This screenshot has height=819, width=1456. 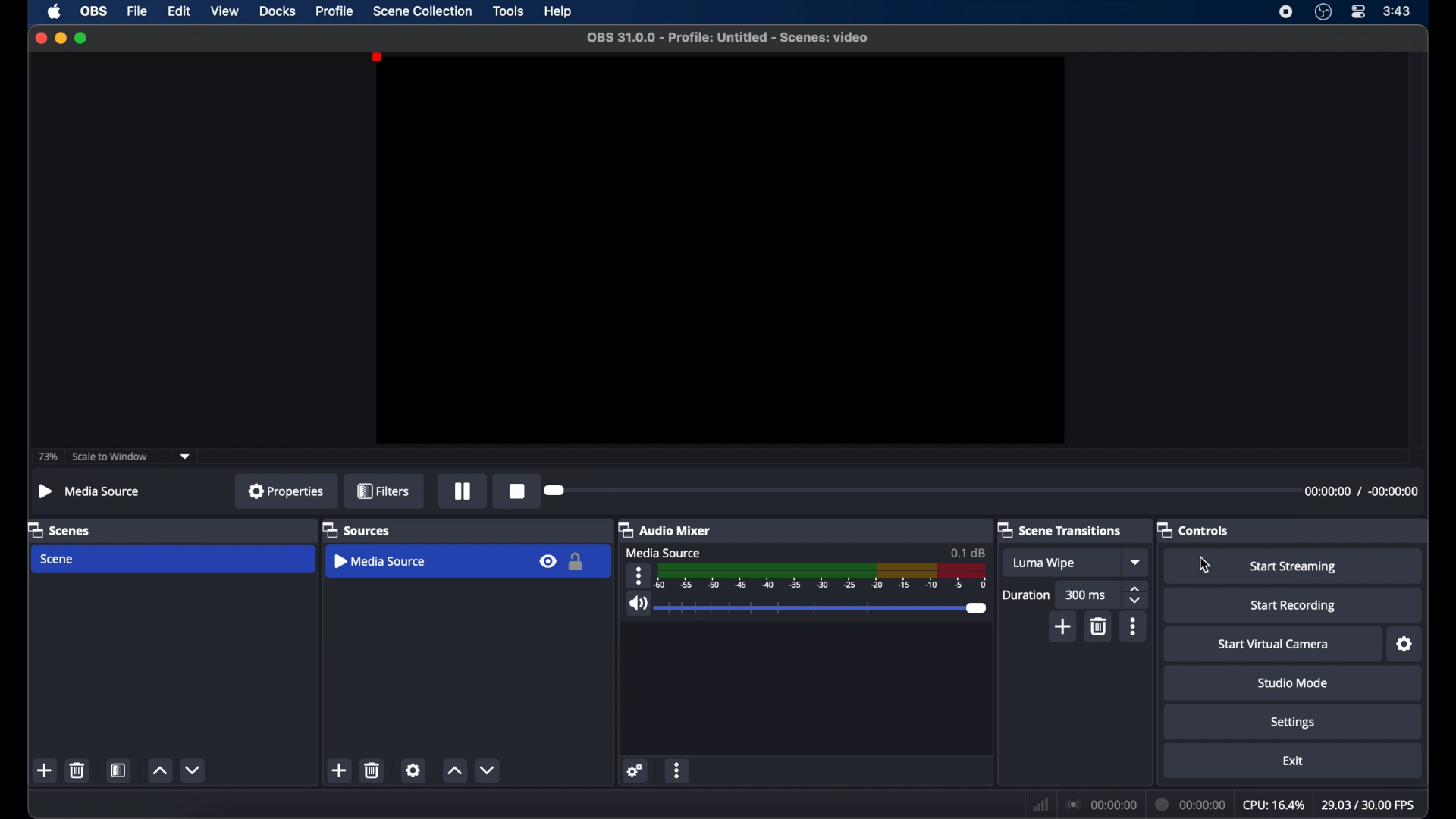 What do you see at coordinates (59, 529) in the screenshot?
I see `scenes` at bounding box center [59, 529].